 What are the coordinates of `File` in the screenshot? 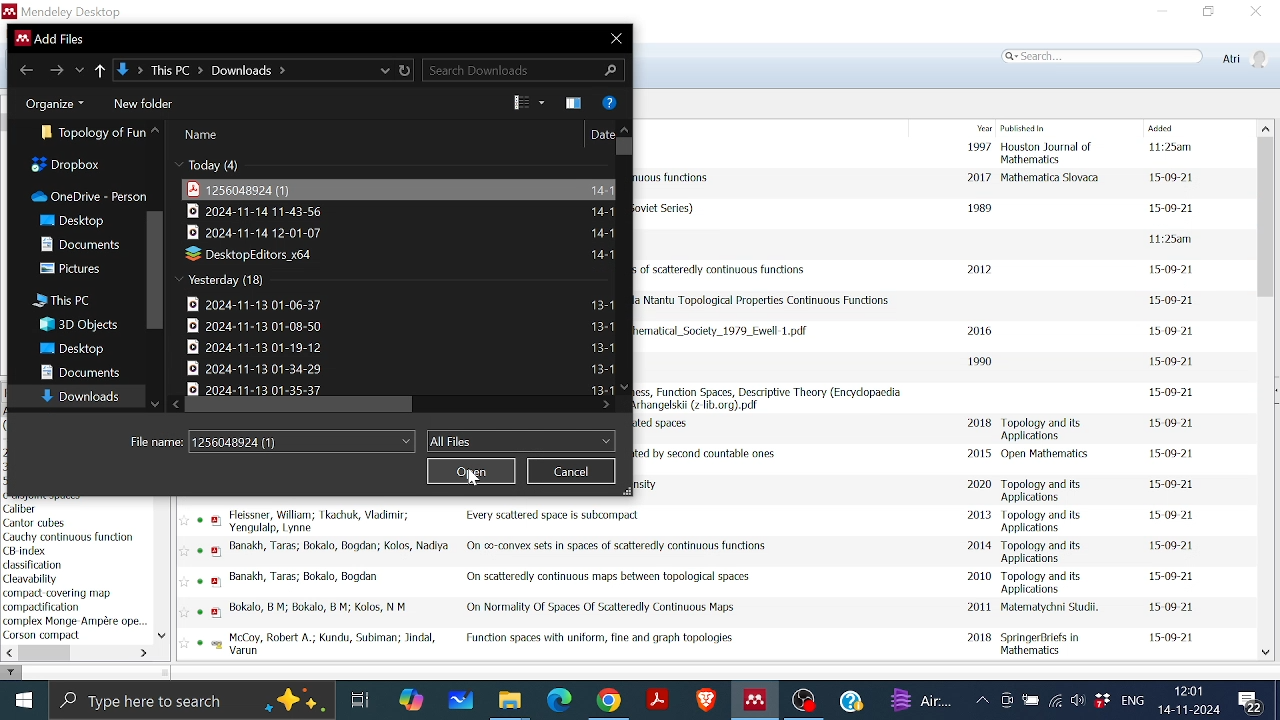 It's located at (240, 190).